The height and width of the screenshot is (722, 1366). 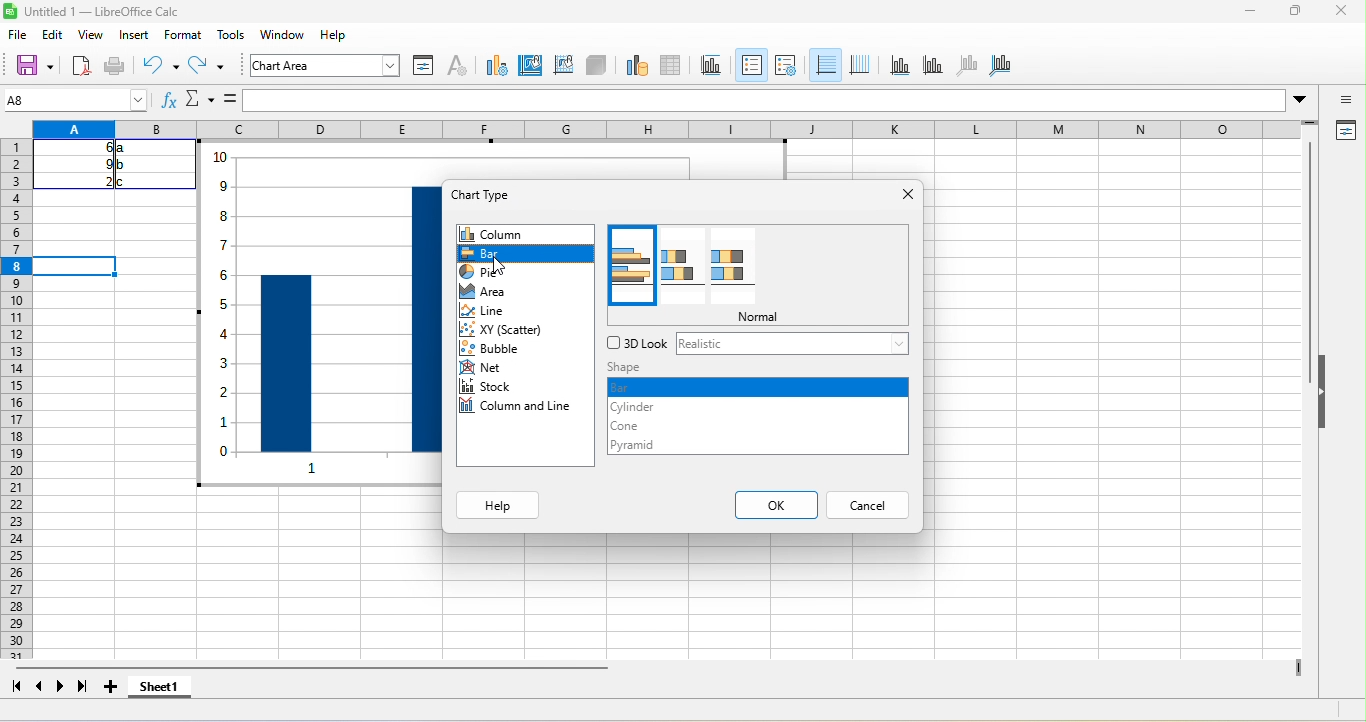 I want to click on column, so click(x=525, y=235).